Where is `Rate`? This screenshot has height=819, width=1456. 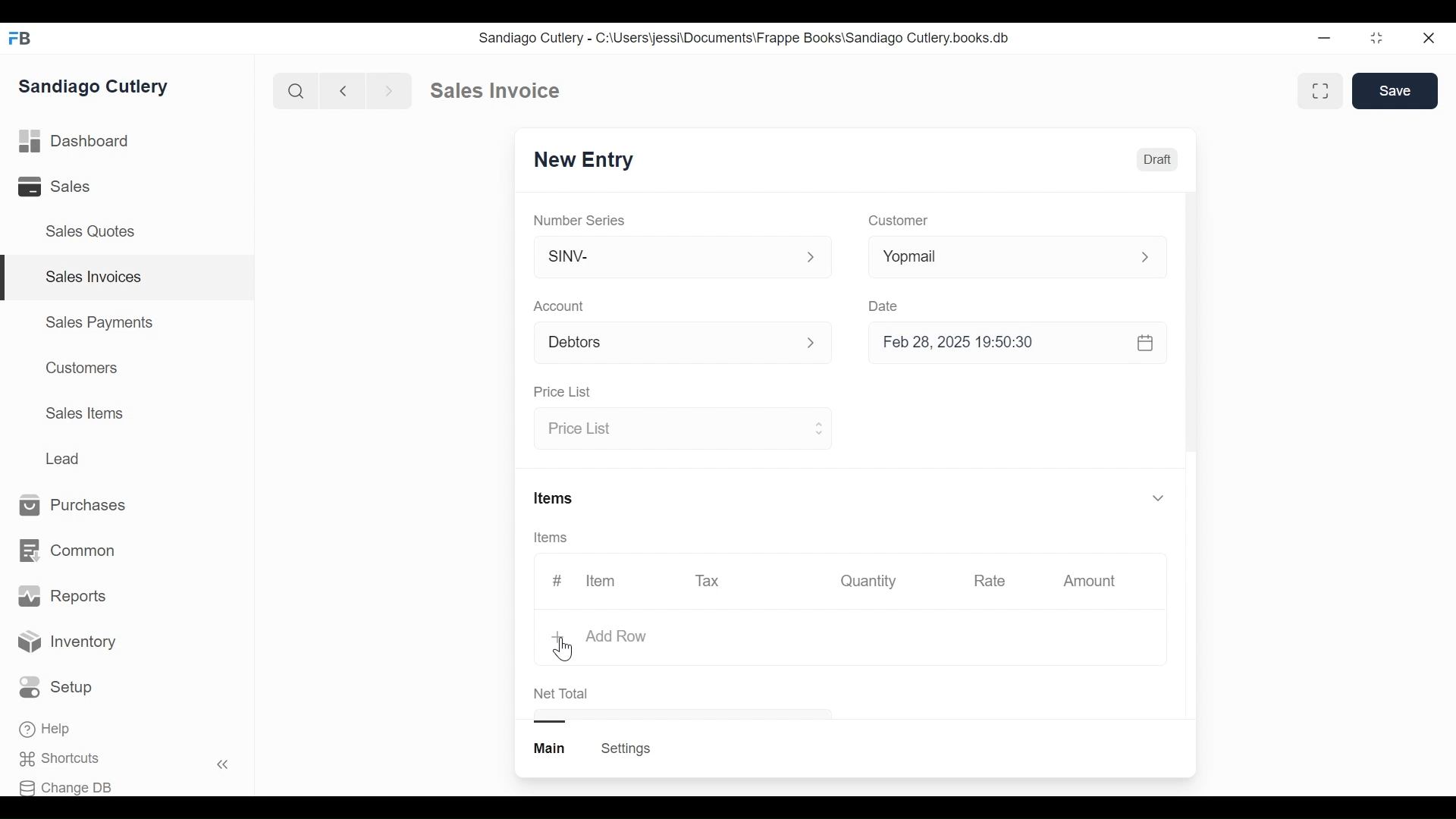 Rate is located at coordinates (988, 581).